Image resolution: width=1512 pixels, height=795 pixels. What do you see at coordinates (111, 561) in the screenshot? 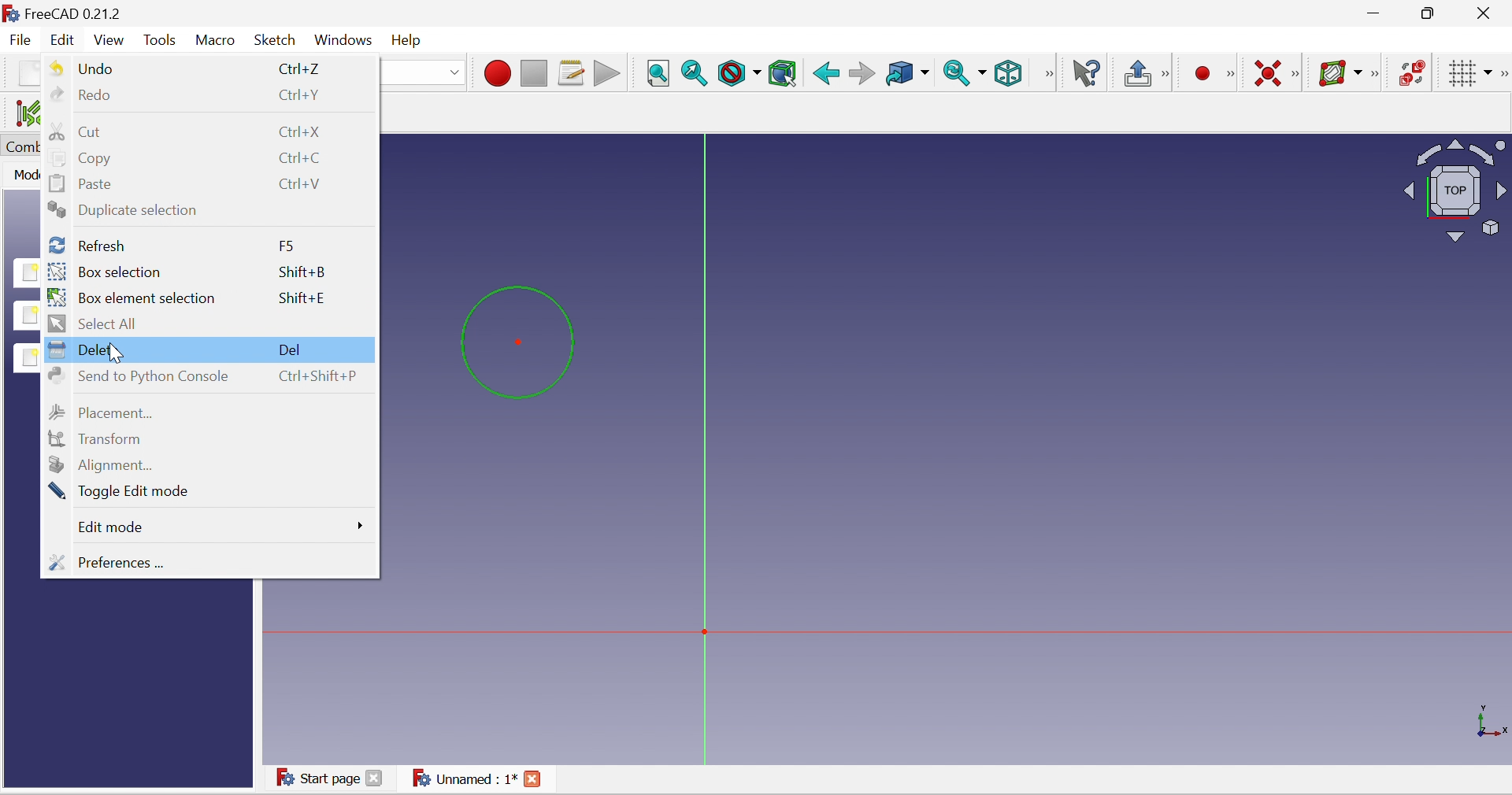
I see `Preferences` at bounding box center [111, 561].